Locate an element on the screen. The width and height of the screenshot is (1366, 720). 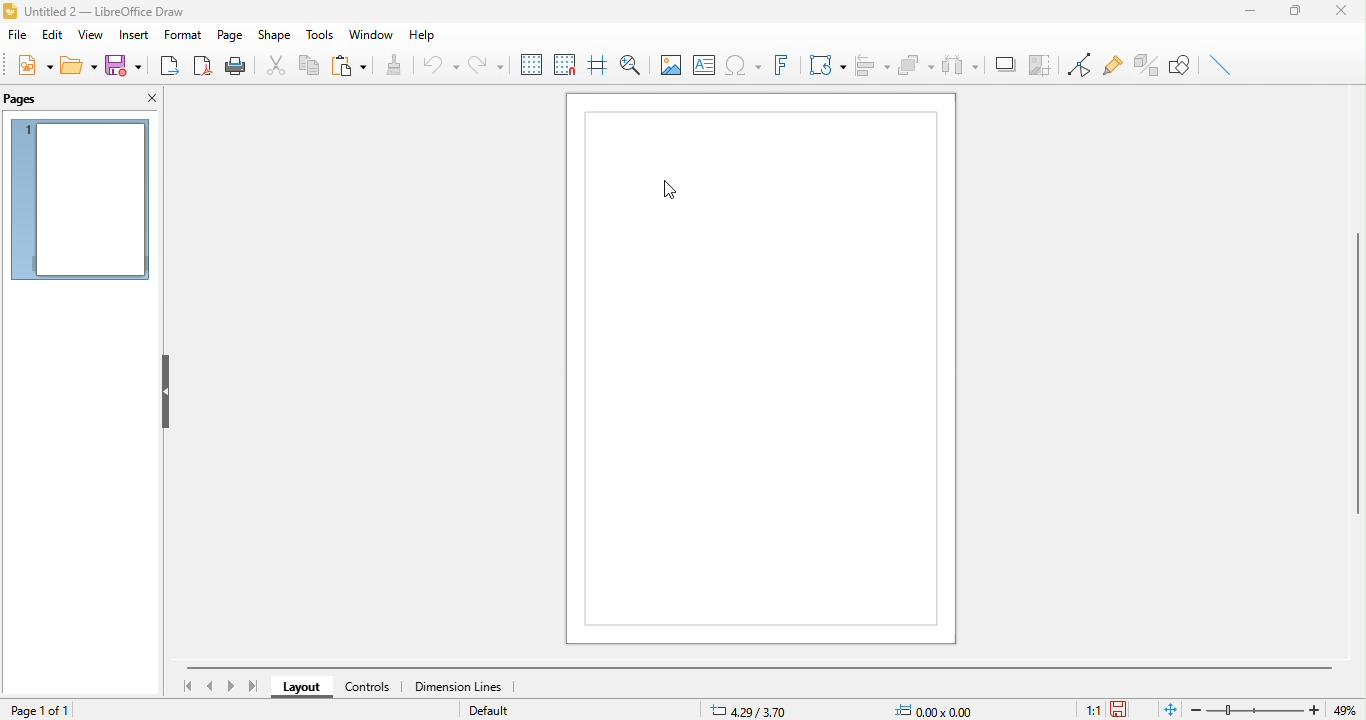
help is located at coordinates (428, 34).